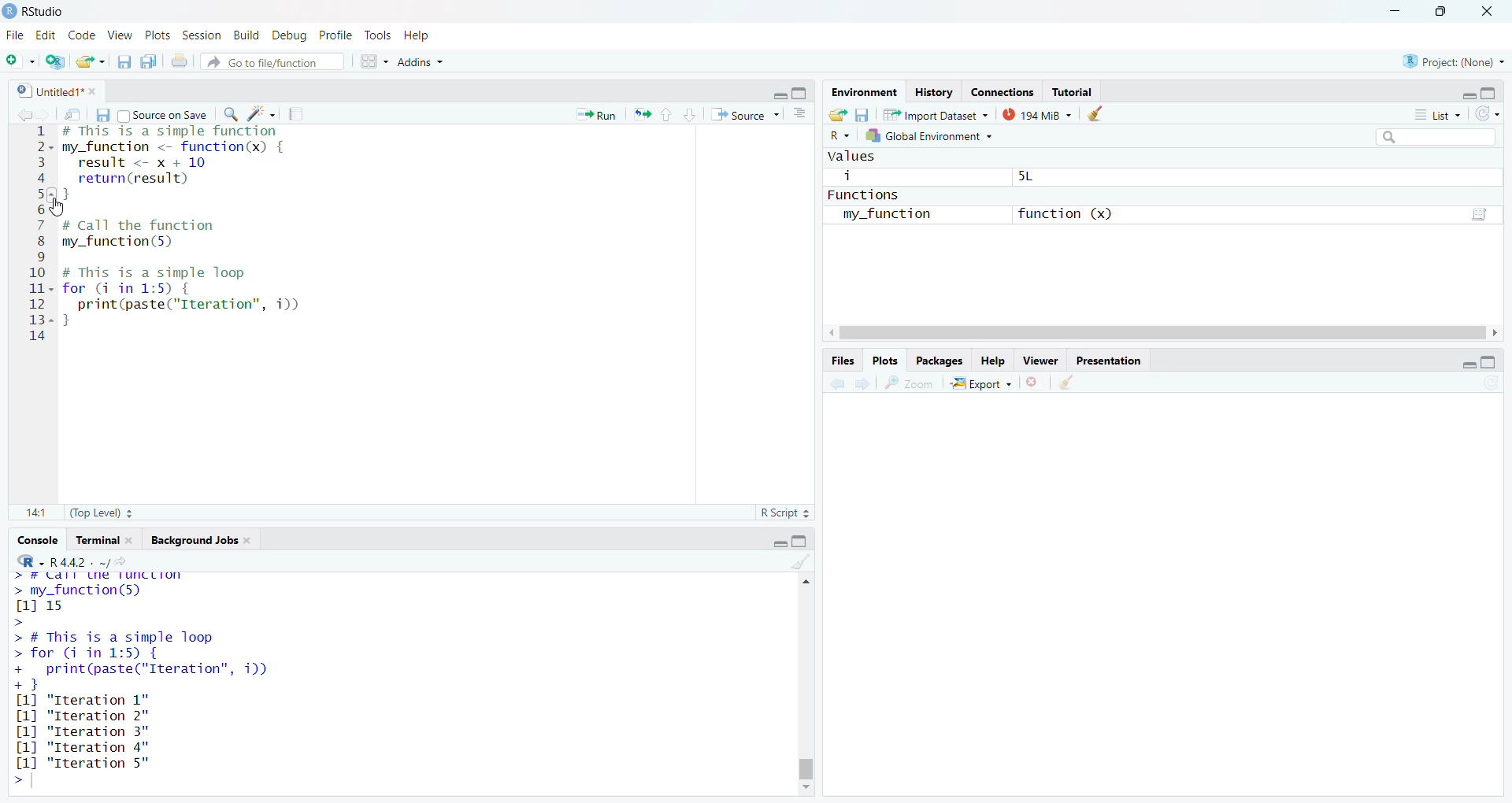  What do you see at coordinates (38, 237) in the screenshot?
I see `serial numbers` at bounding box center [38, 237].